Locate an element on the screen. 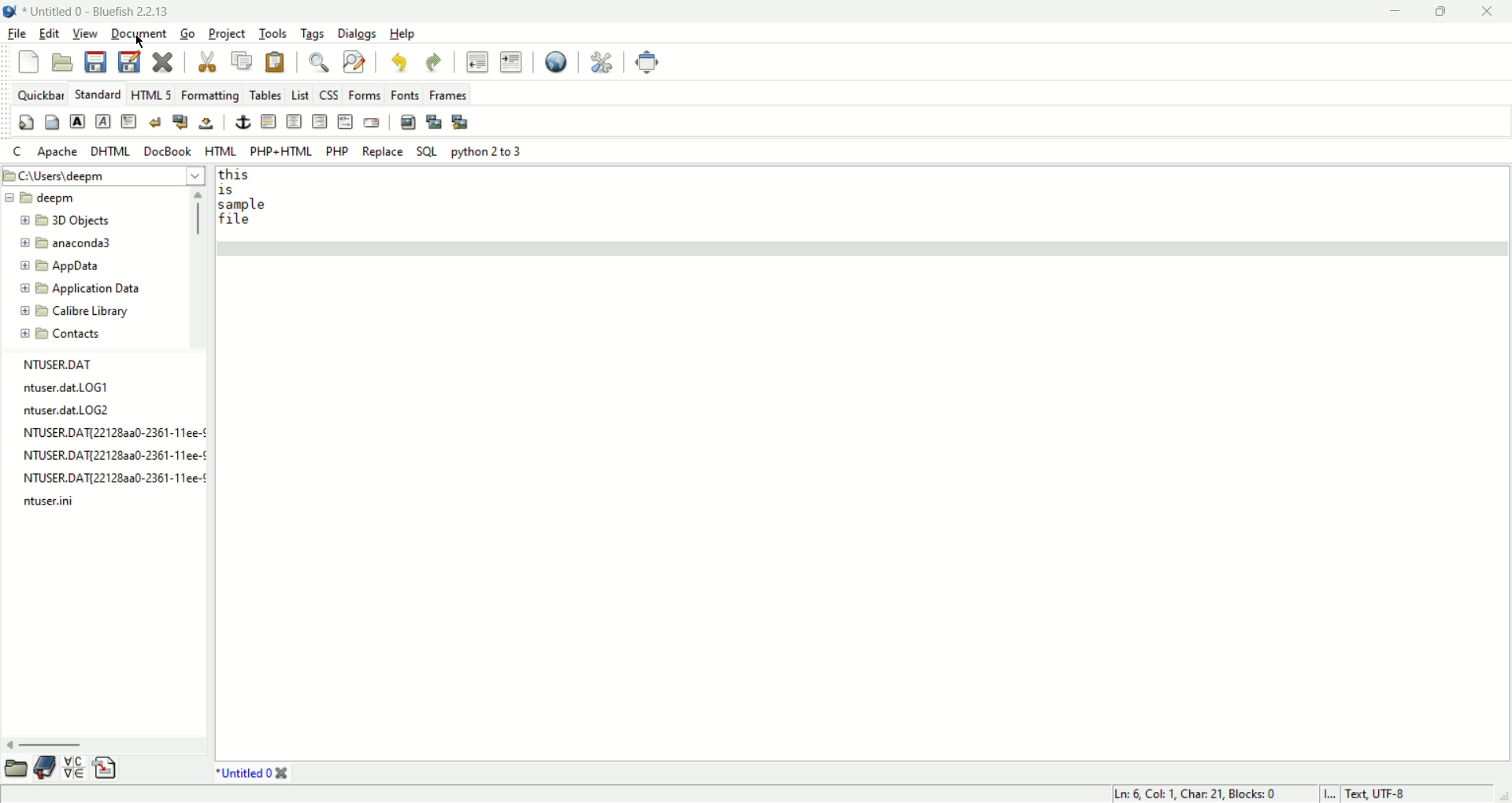 This screenshot has width=1512, height=803. save current file is located at coordinates (96, 62).